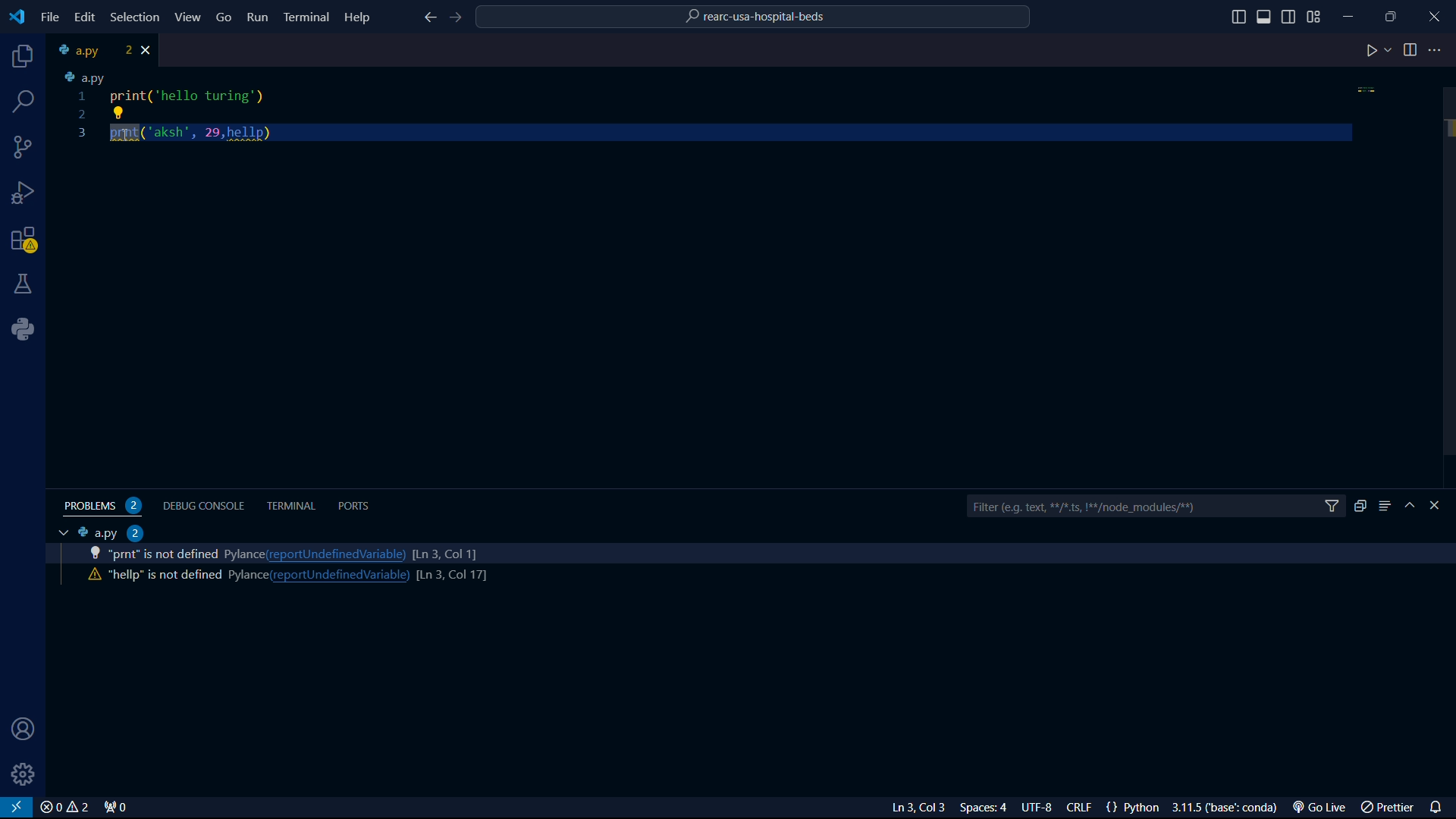 The width and height of the screenshot is (1456, 819). Describe the element at coordinates (1238, 17) in the screenshot. I see `toggle sidebar` at that location.